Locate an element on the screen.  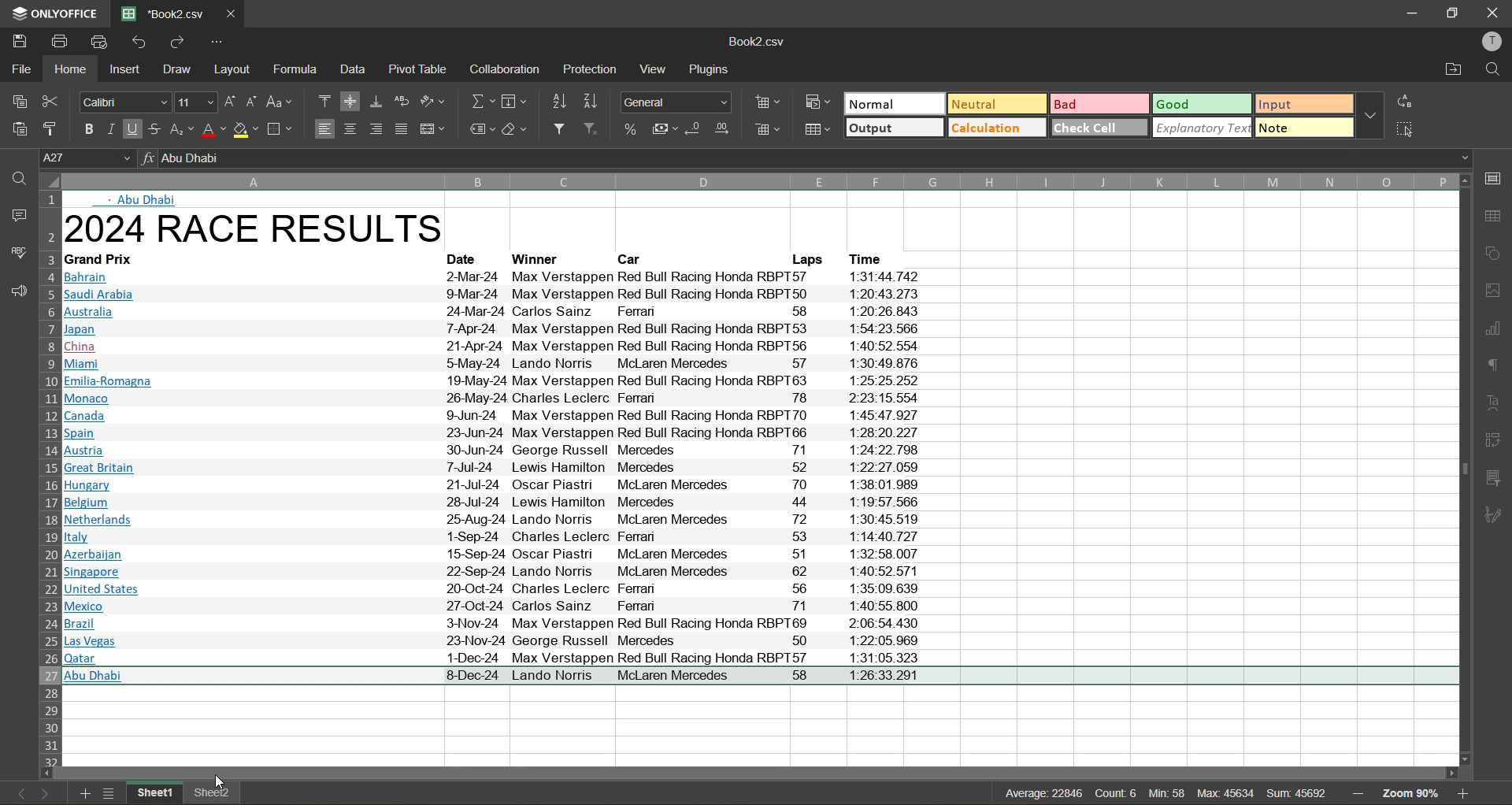
max is located at coordinates (1224, 793).